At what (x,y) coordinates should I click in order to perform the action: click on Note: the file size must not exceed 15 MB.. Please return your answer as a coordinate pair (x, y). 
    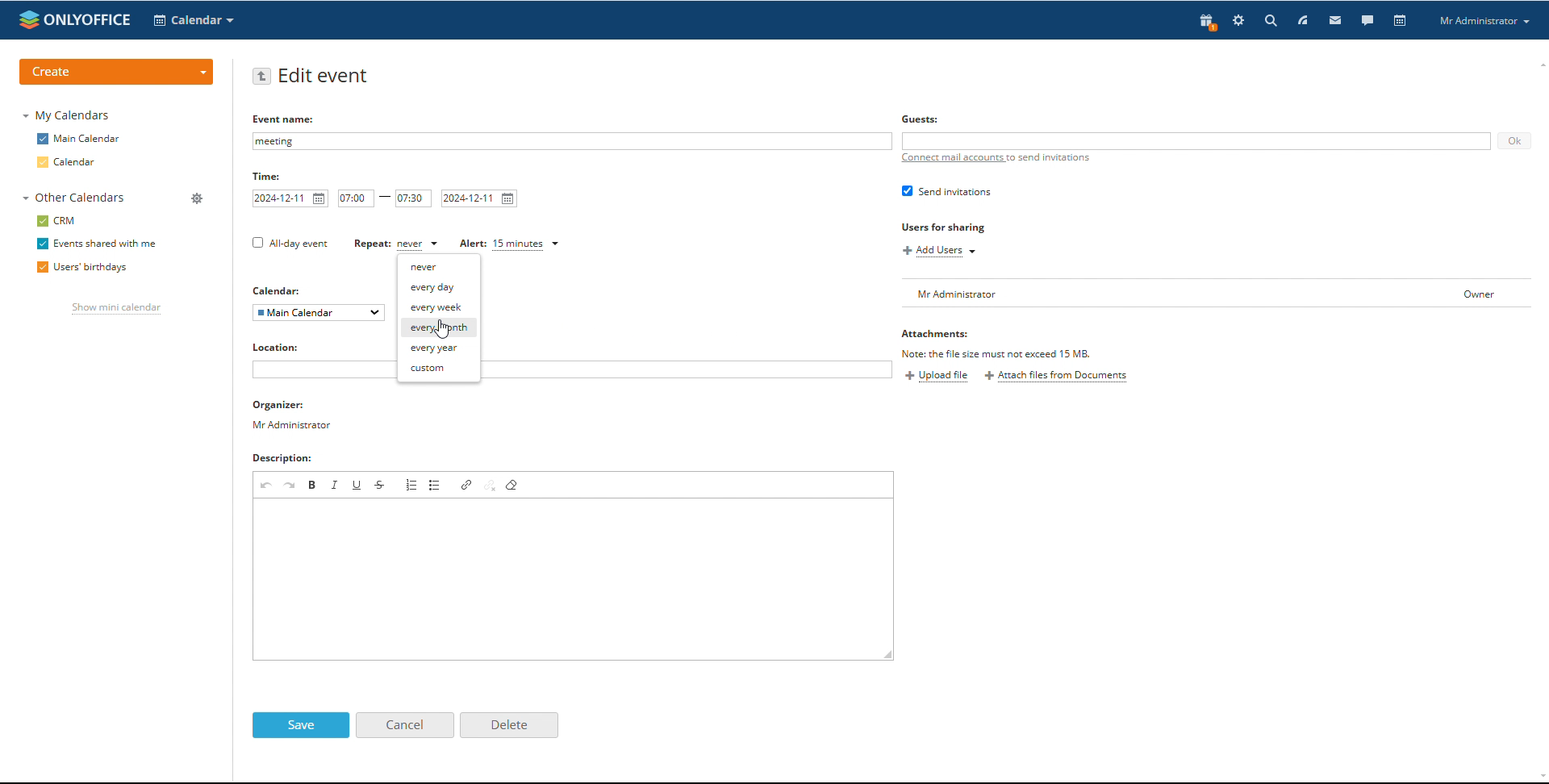
    Looking at the image, I should click on (997, 353).